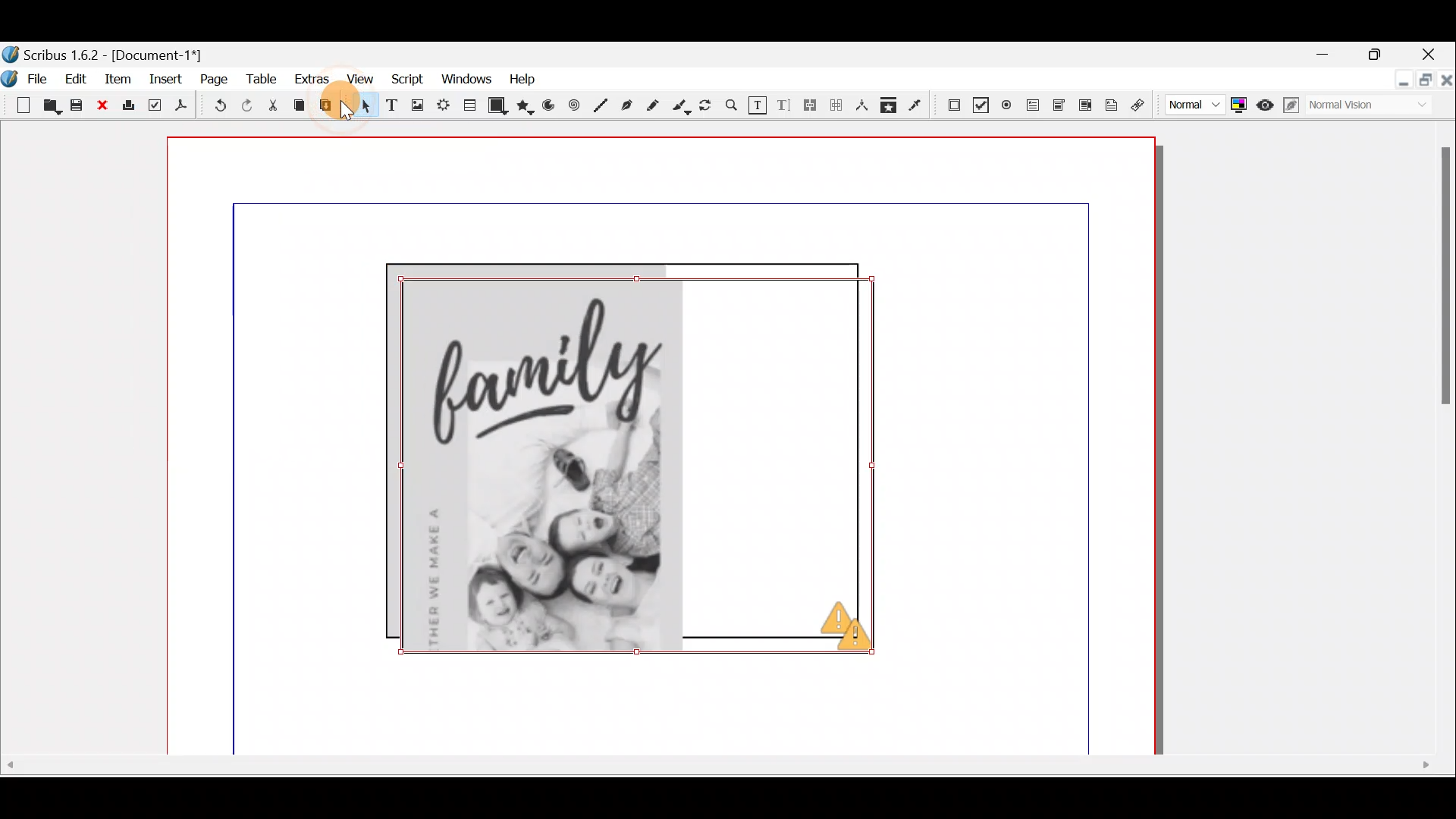 This screenshot has height=819, width=1456. Describe the element at coordinates (406, 79) in the screenshot. I see `Script` at that location.